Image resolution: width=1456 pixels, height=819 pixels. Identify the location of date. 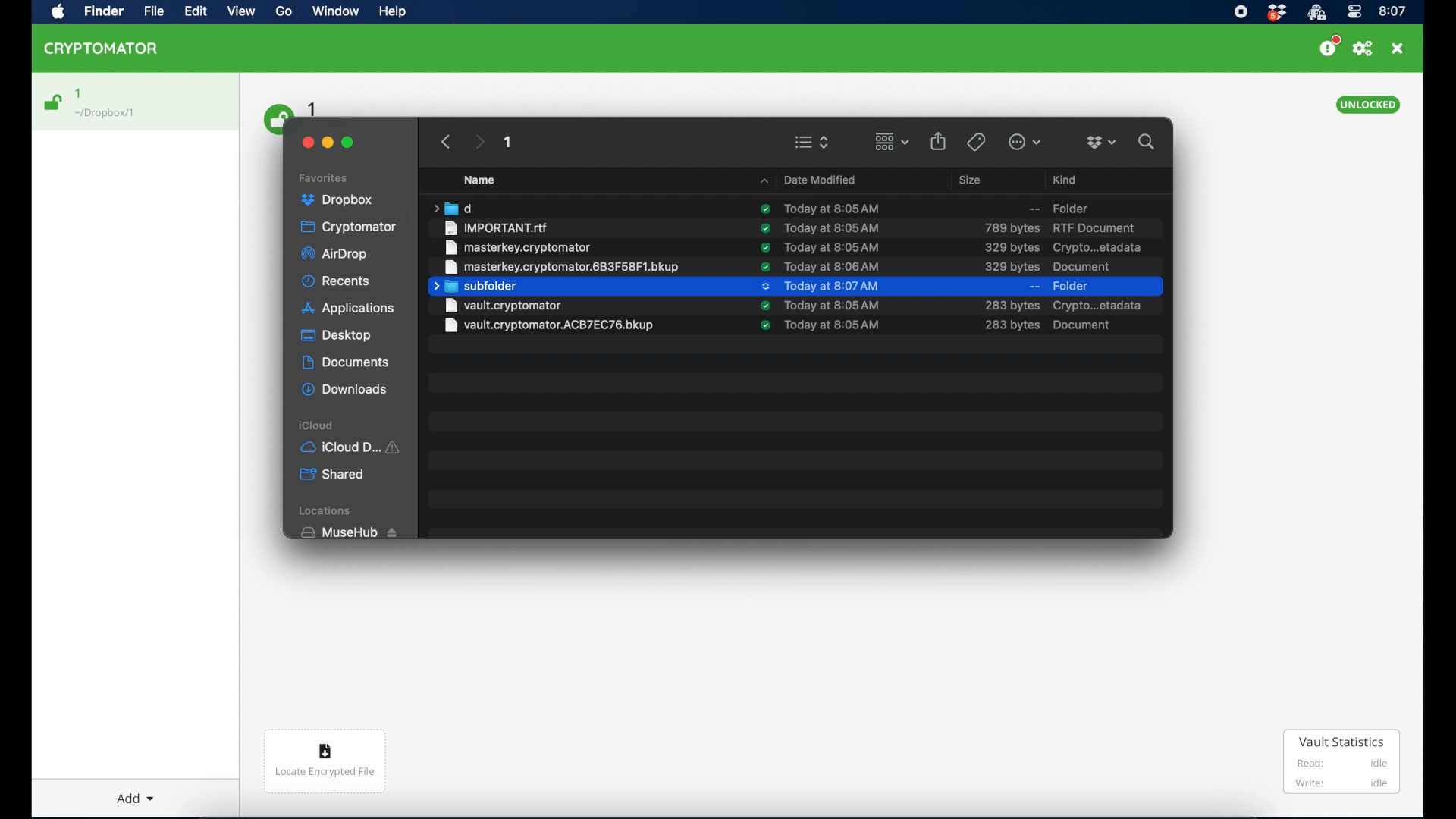
(838, 266).